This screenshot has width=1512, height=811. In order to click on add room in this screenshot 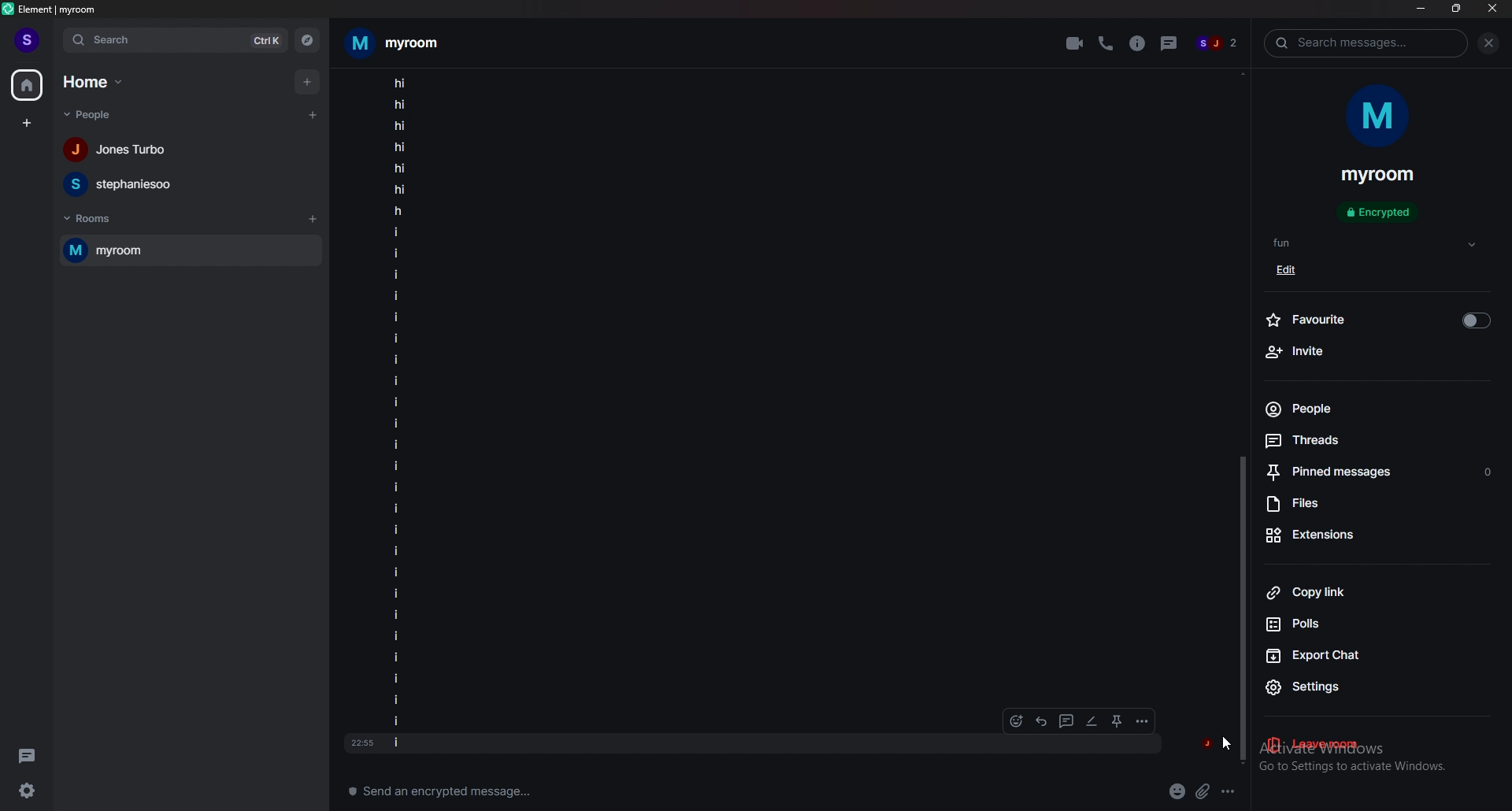, I will do `click(311, 219)`.